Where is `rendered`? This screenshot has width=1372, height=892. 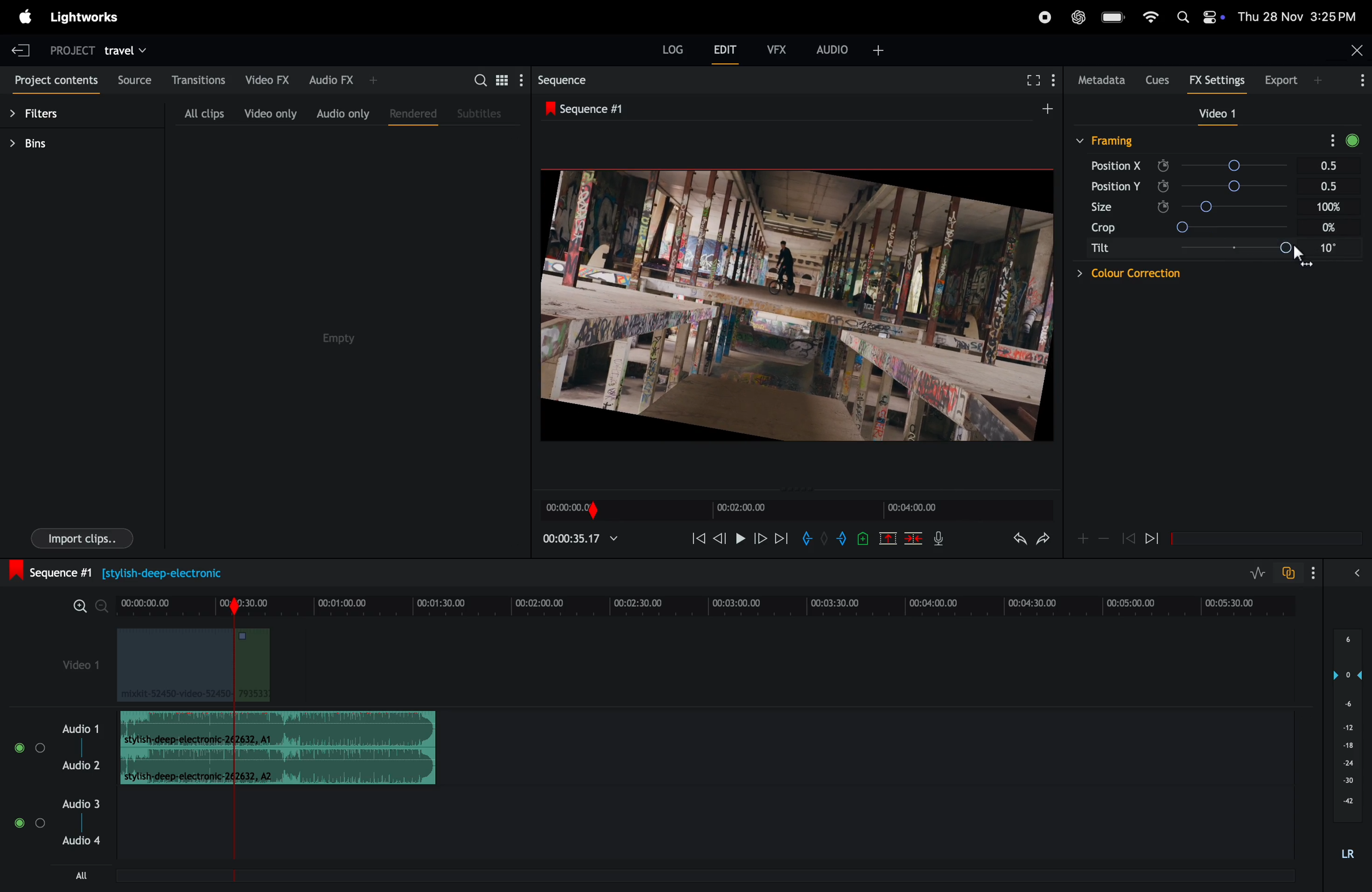 rendered is located at coordinates (412, 116).